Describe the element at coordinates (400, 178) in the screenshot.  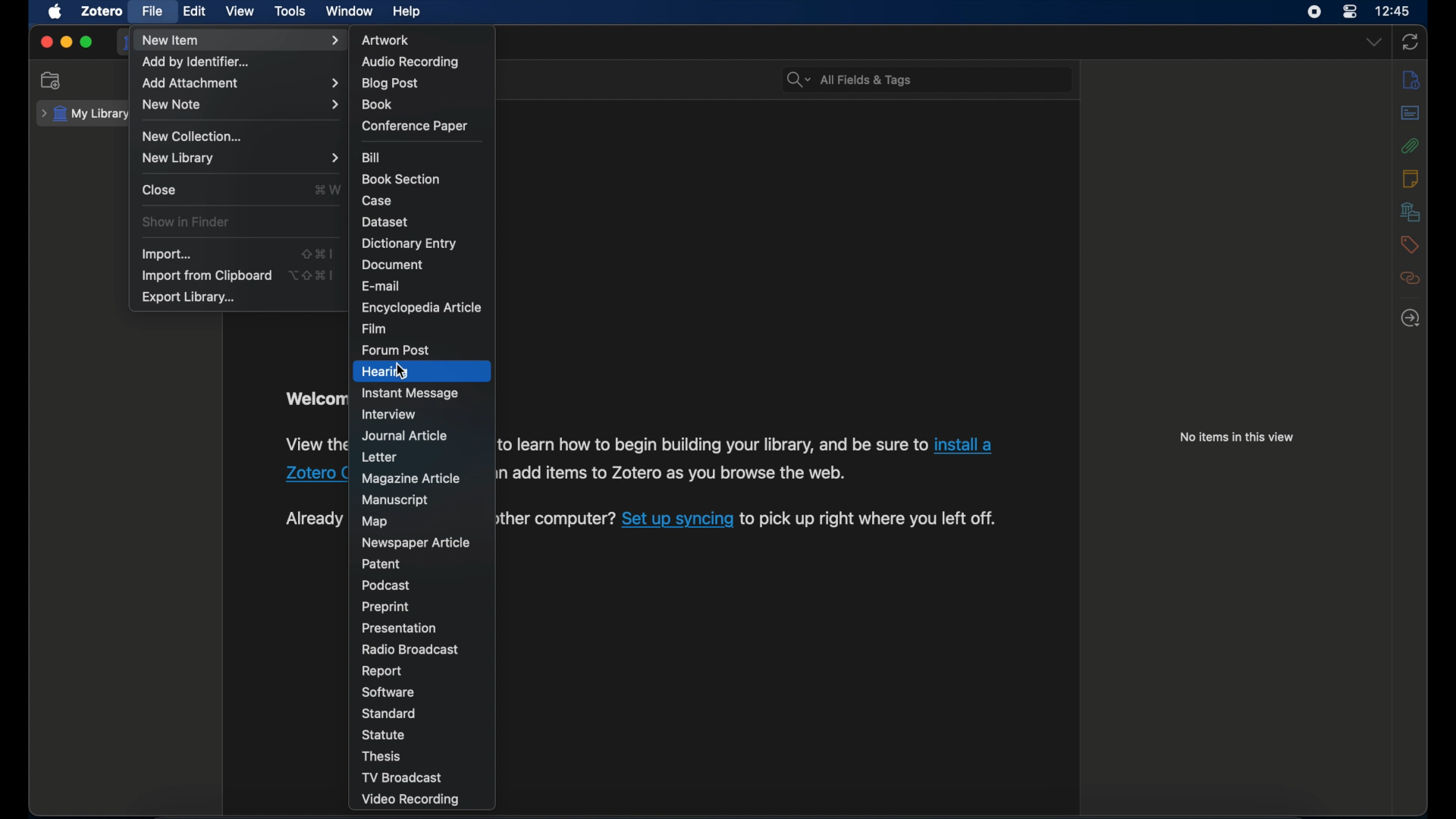
I see `book section` at that location.